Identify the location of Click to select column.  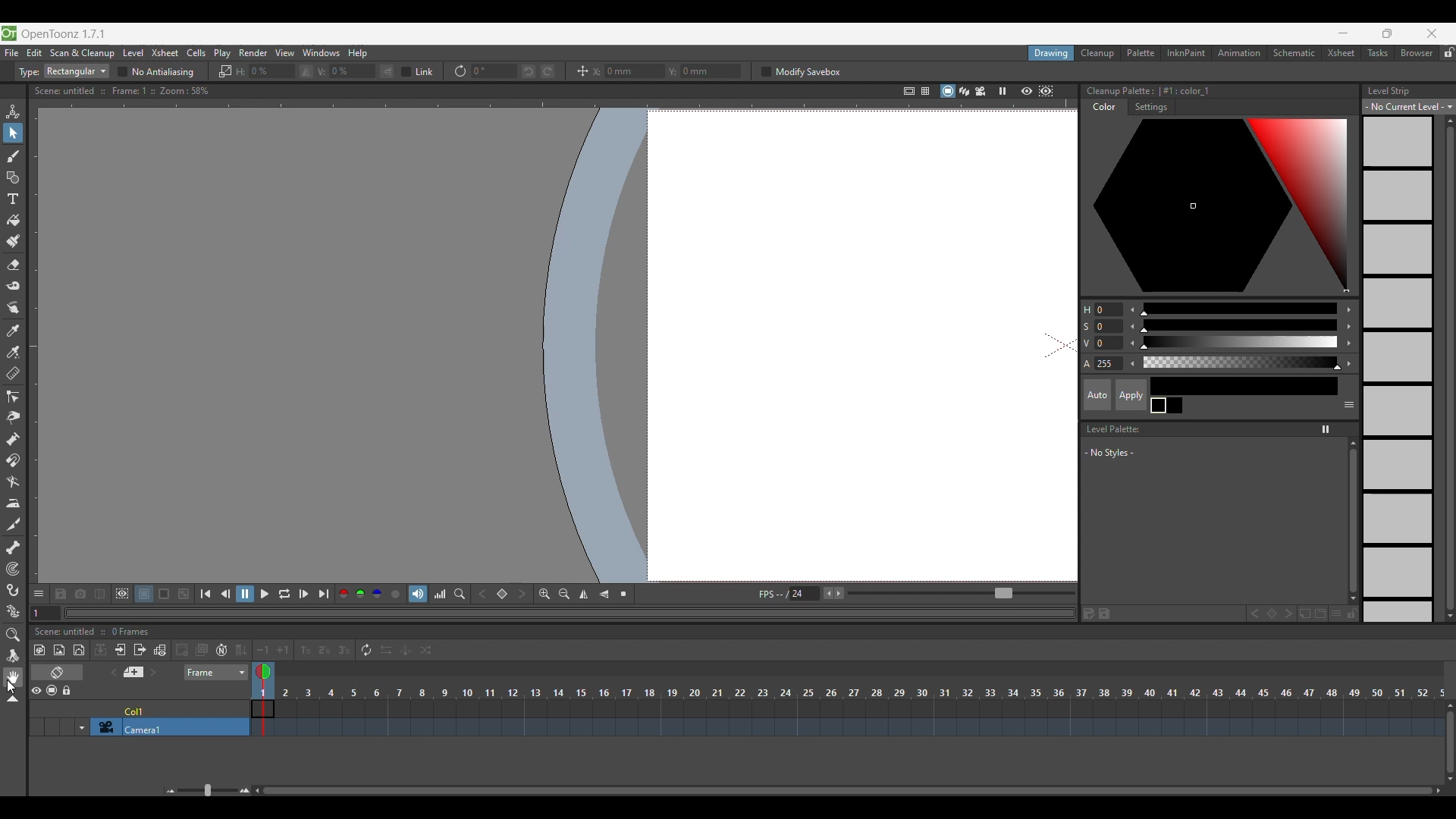
(140, 709).